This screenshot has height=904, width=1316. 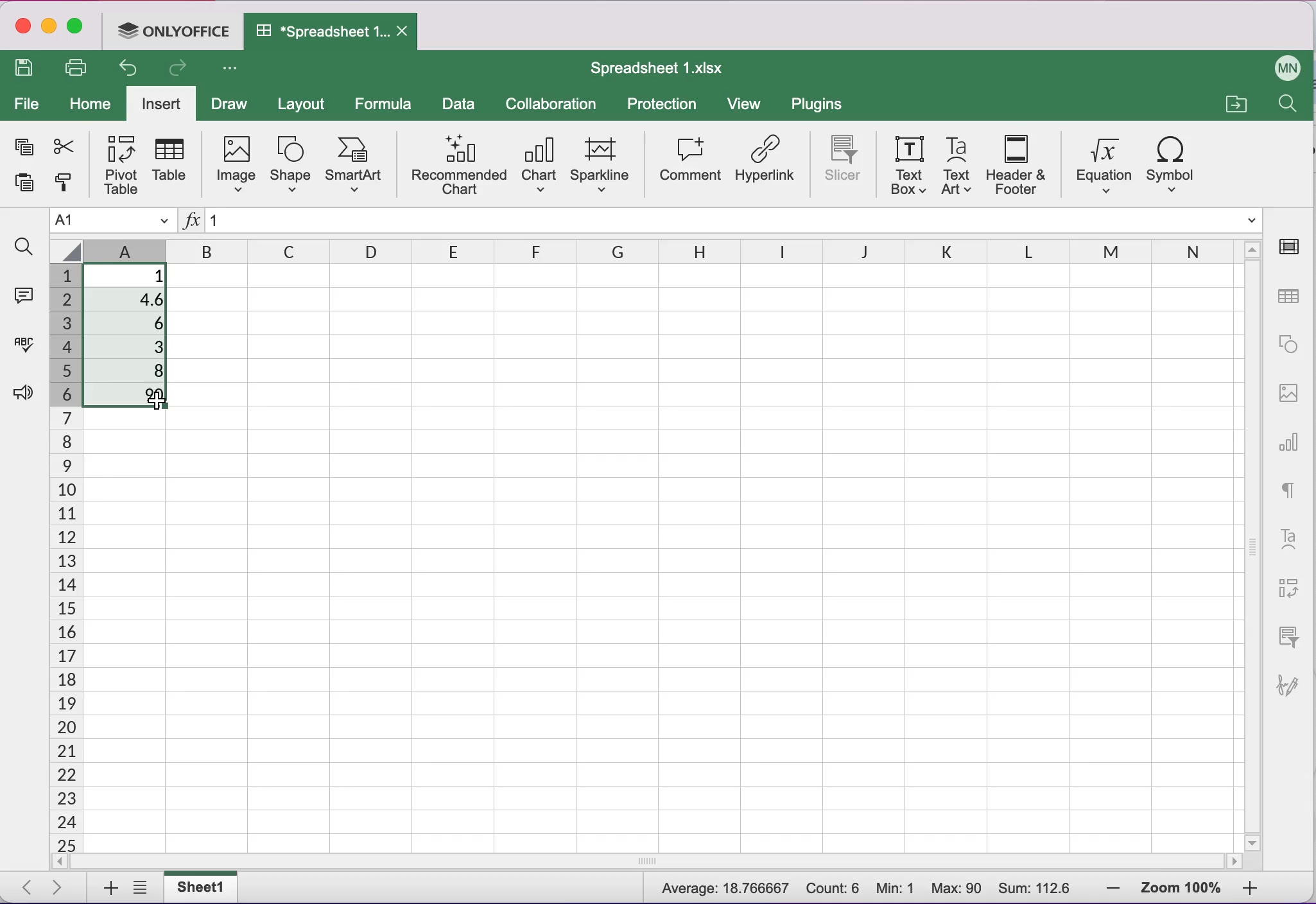 What do you see at coordinates (231, 103) in the screenshot?
I see `draw` at bounding box center [231, 103].